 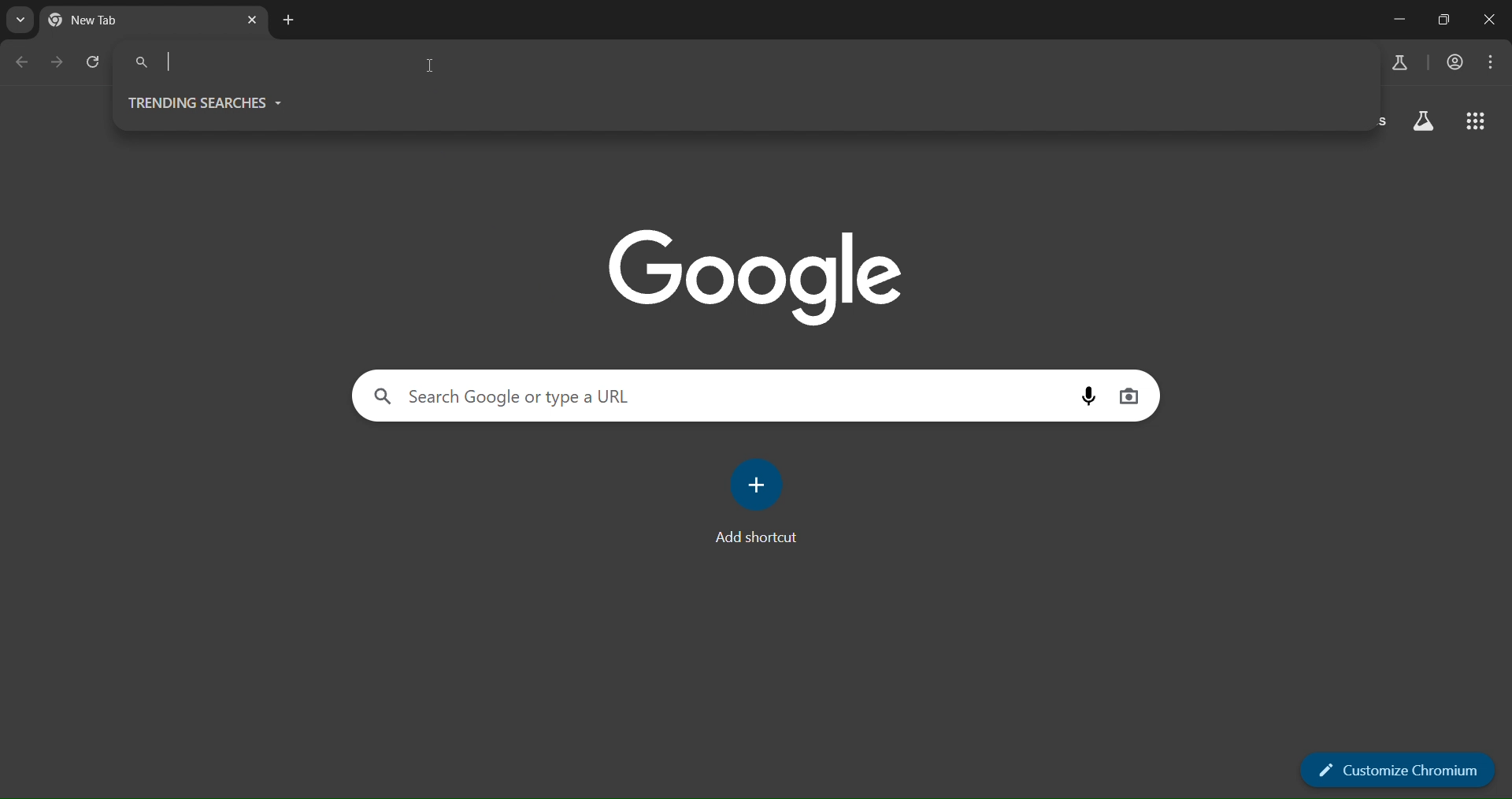 I want to click on New Tab, so click(x=104, y=24).